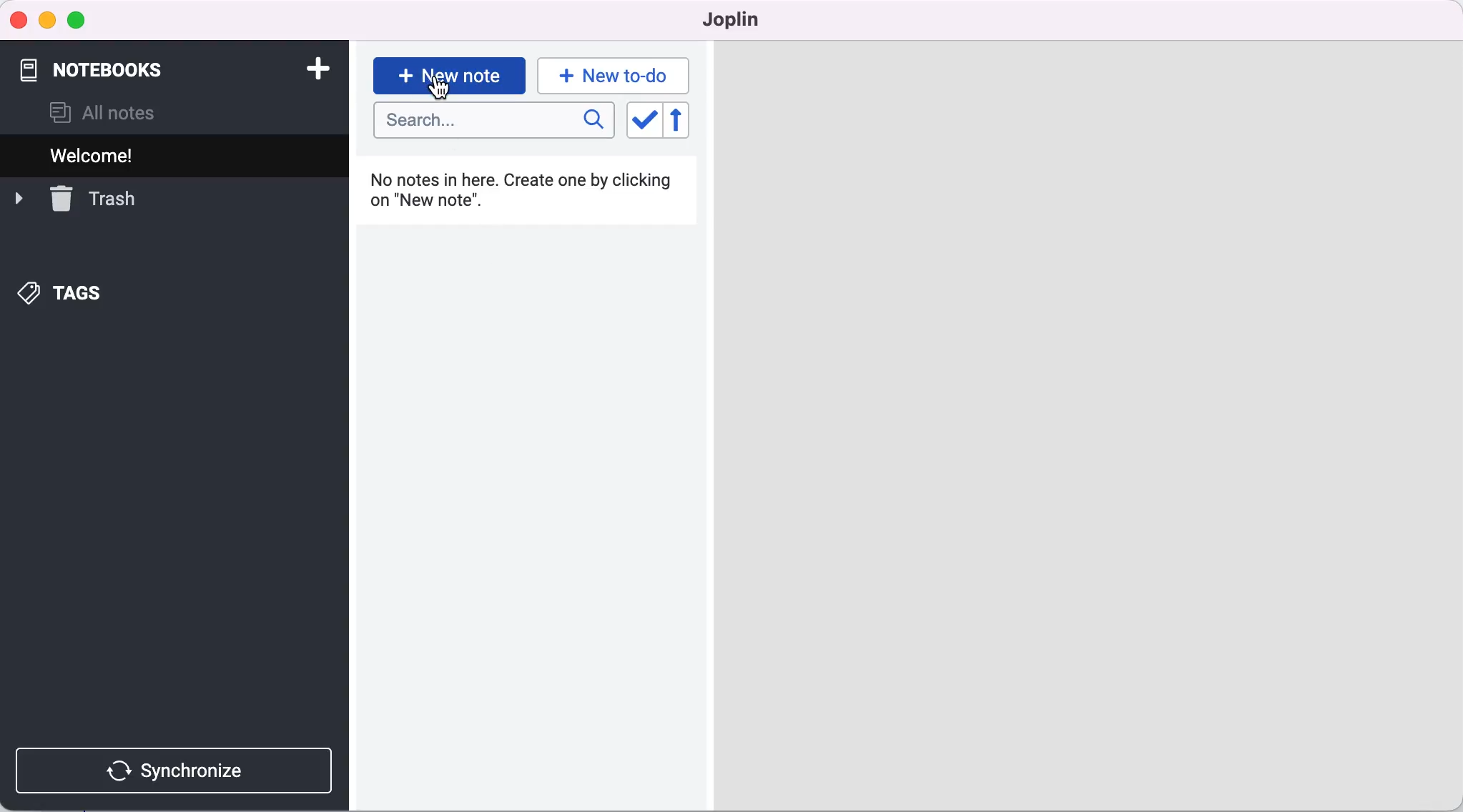  I want to click on reverse sort order, so click(685, 124).